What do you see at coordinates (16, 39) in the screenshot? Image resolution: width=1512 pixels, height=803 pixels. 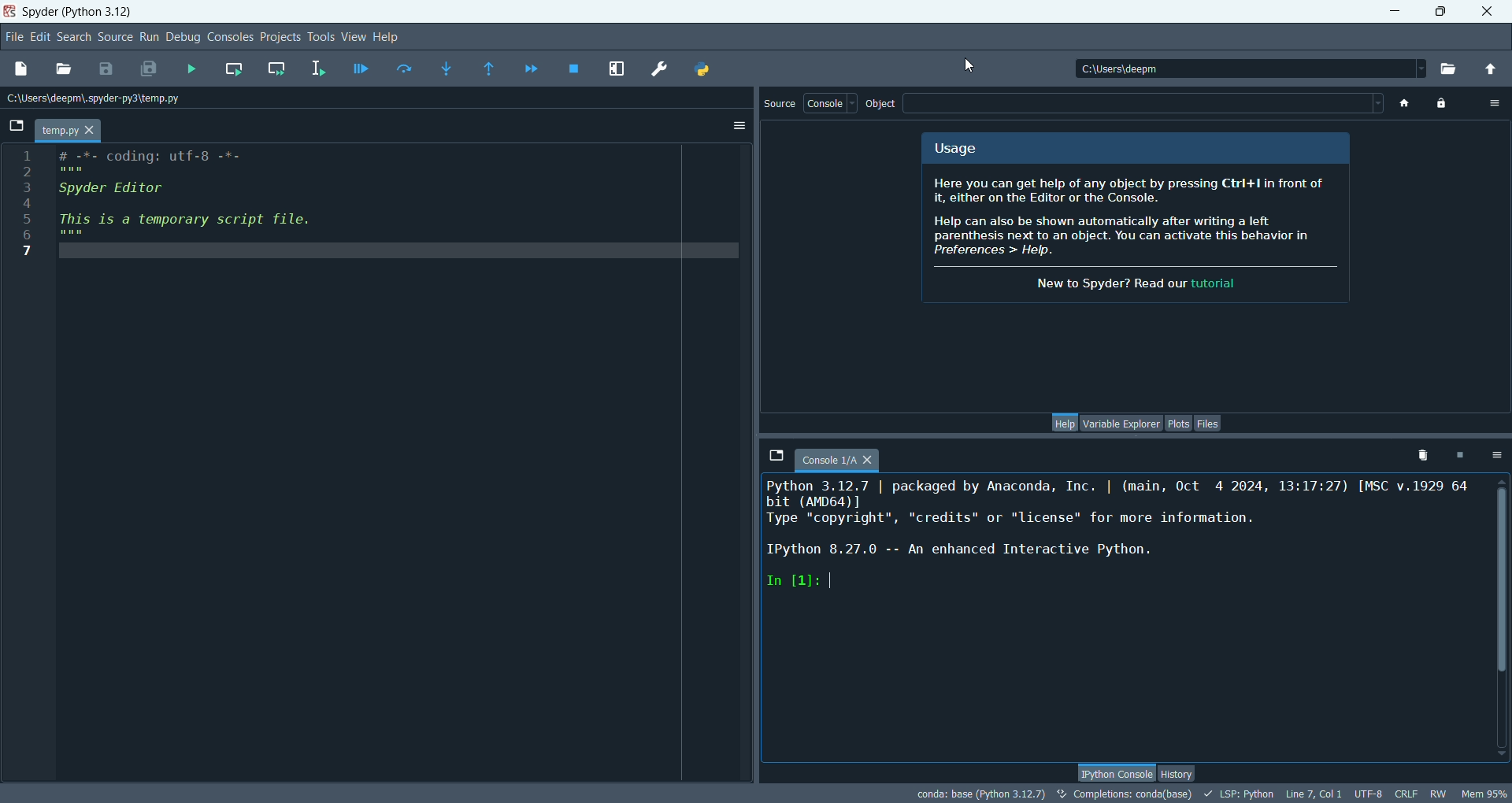 I see `file` at bounding box center [16, 39].